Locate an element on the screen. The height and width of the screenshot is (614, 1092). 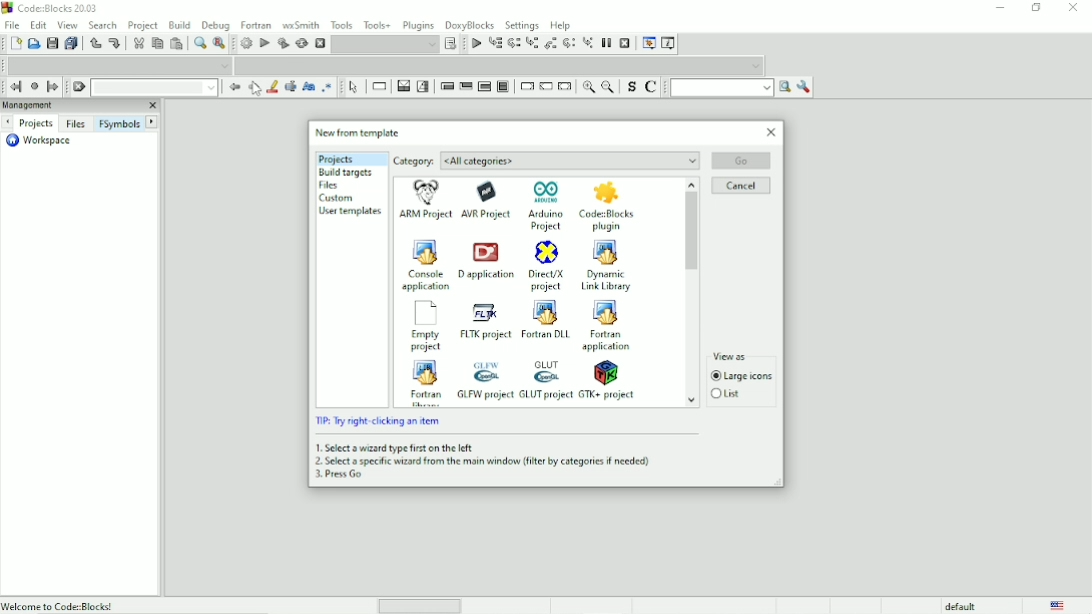
Jump back is located at coordinates (14, 86).